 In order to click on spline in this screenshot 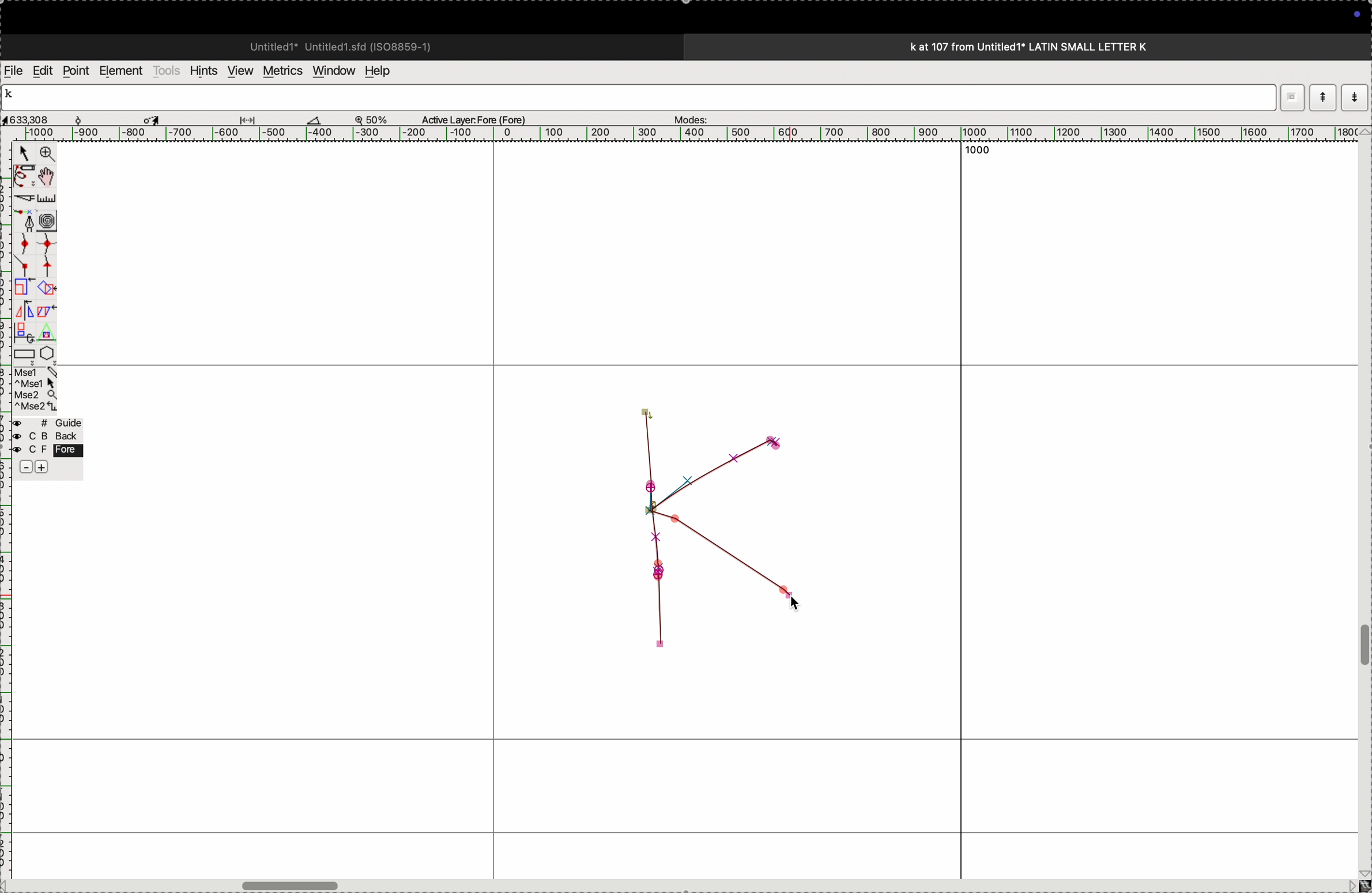, I will do `click(35, 253)`.